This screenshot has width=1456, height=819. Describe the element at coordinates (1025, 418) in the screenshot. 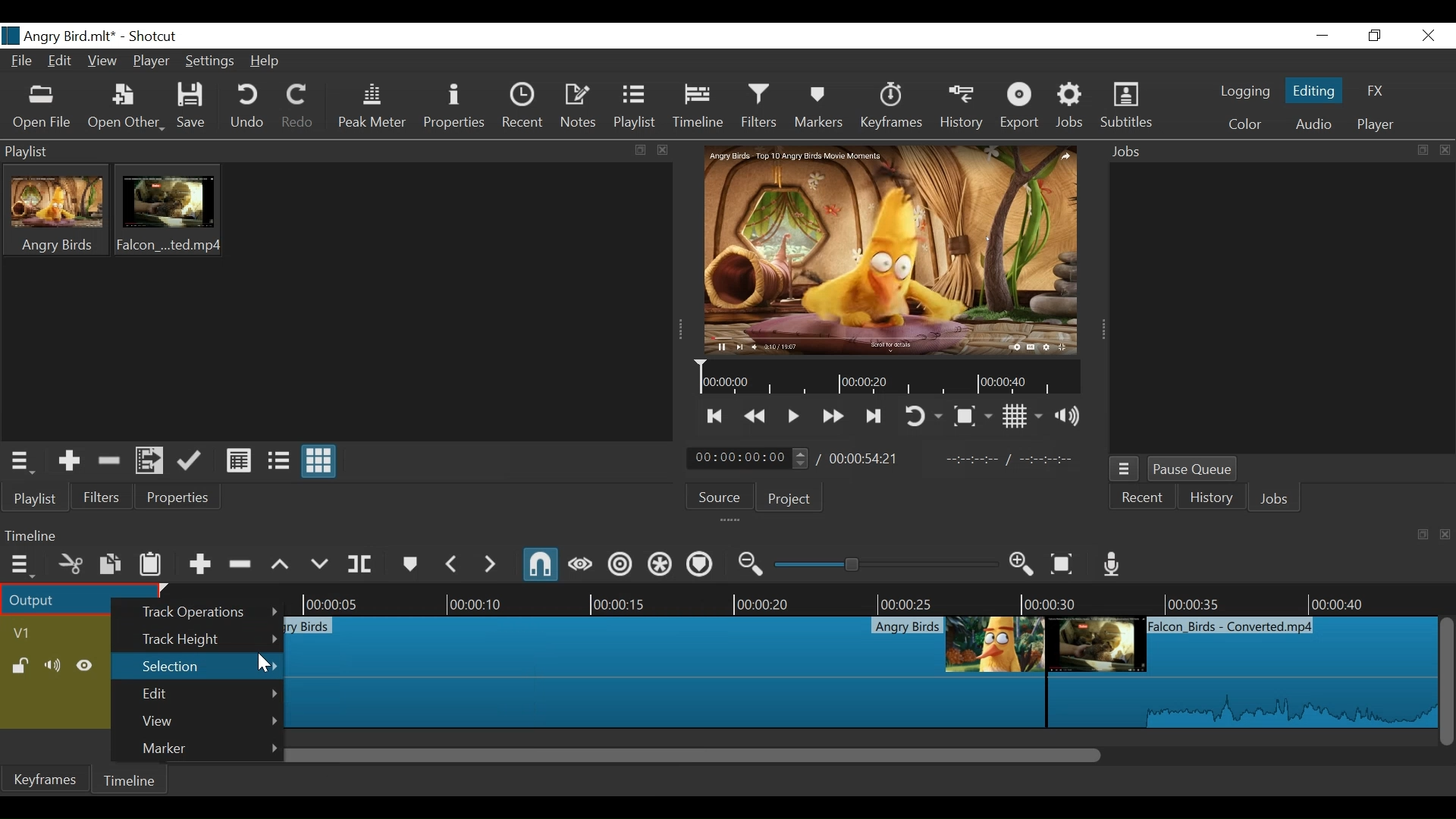

I see `Toggle display grid on player` at that location.